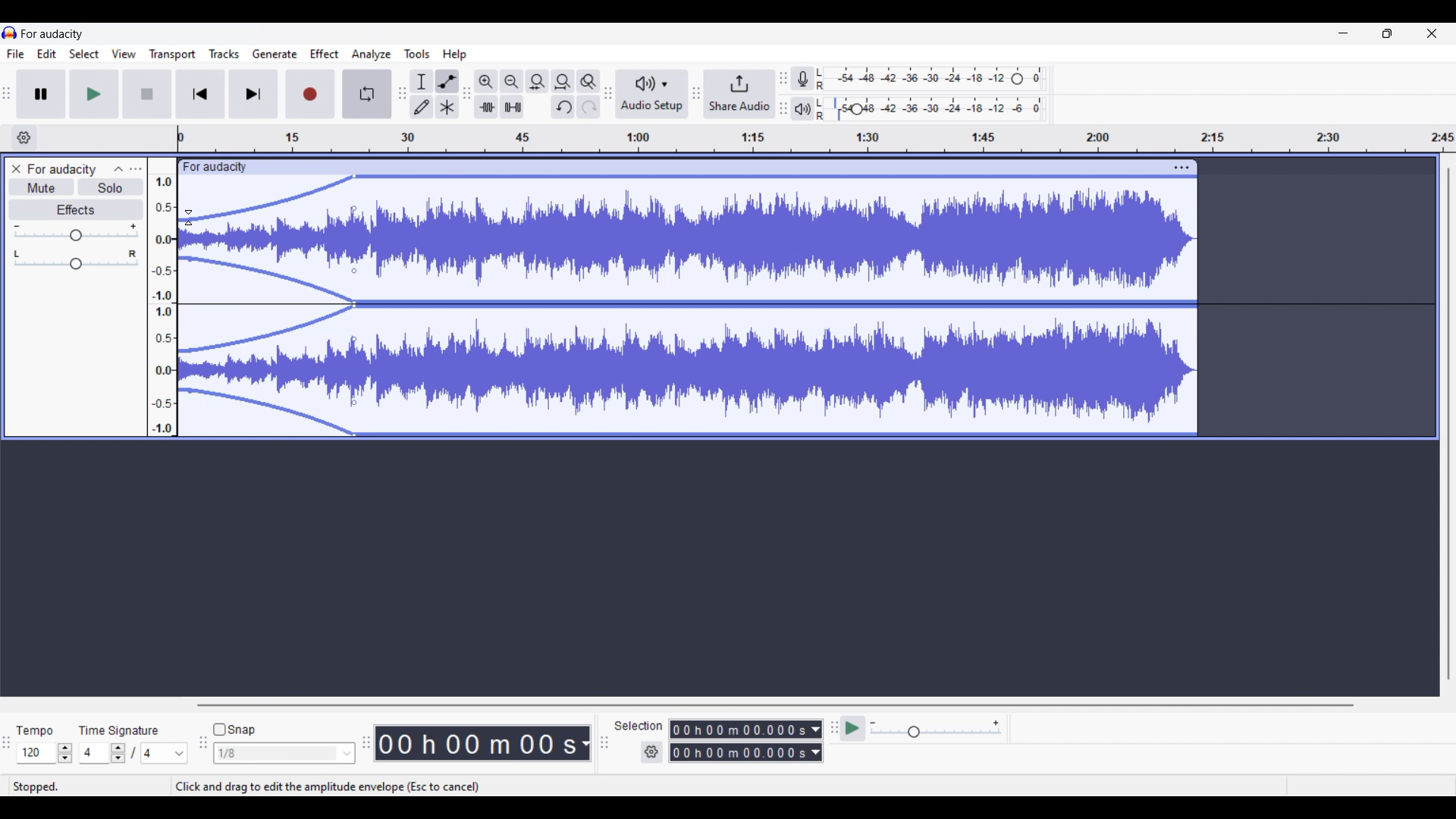 This screenshot has height=819, width=1456. What do you see at coordinates (41, 94) in the screenshot?
I see `Pause` at bounding box center [41, 94].